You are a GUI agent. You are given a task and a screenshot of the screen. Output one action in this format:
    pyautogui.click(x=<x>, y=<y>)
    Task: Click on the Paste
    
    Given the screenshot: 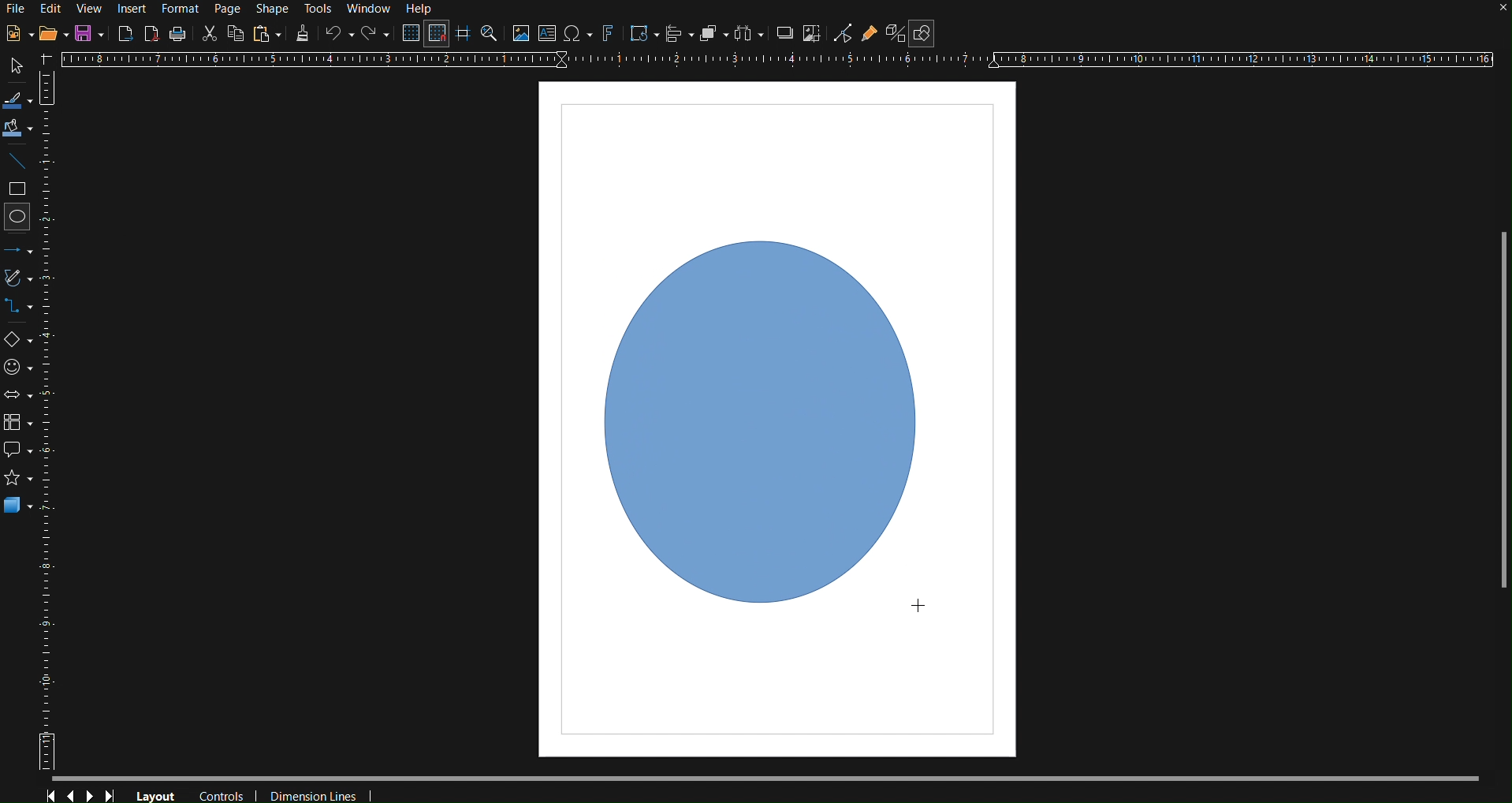 What is the action you would take?
    pyautogui.click(x=266, y=34)
    